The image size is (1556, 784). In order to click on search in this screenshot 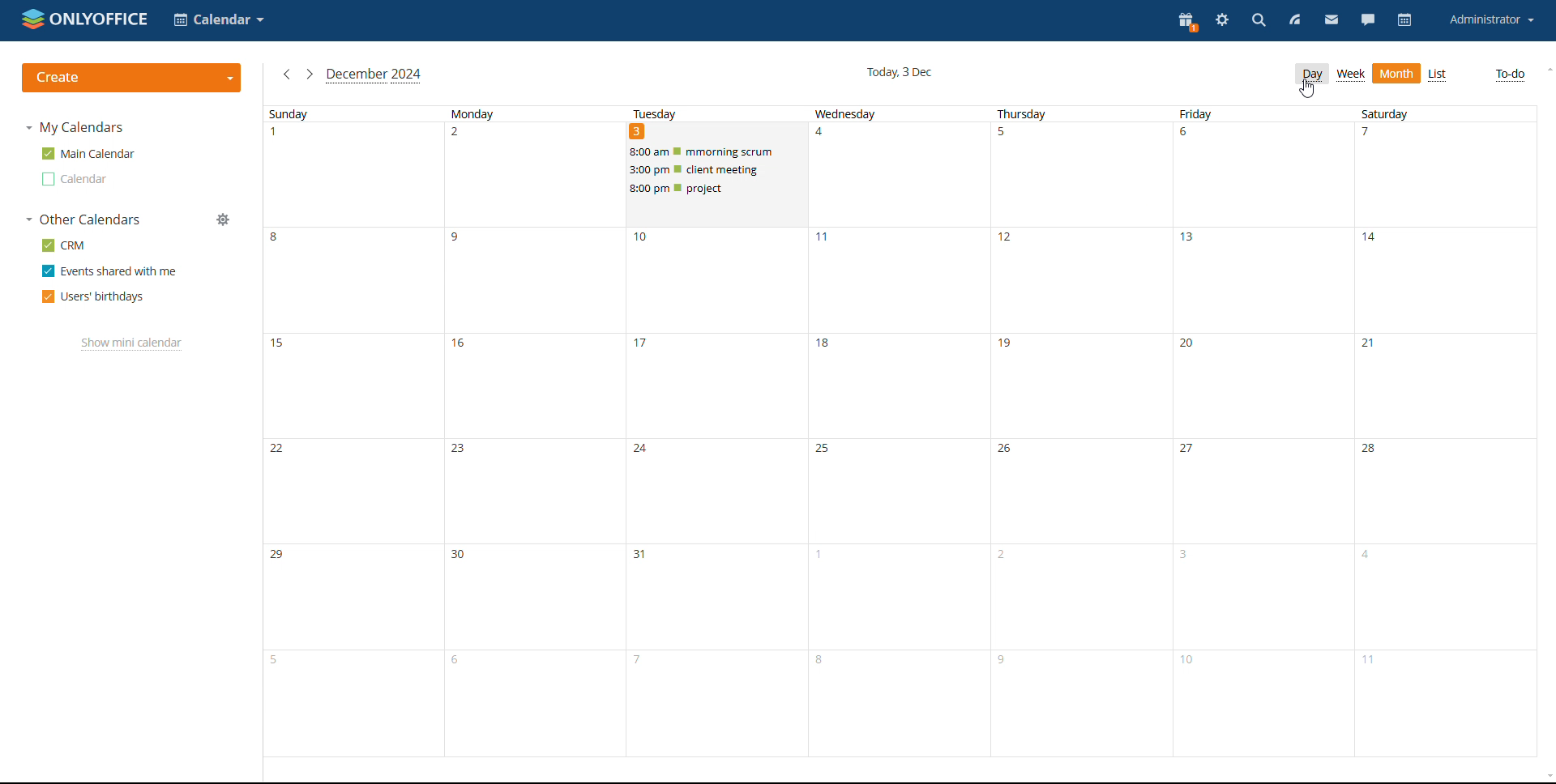, I will do `click(1259, 21)`.